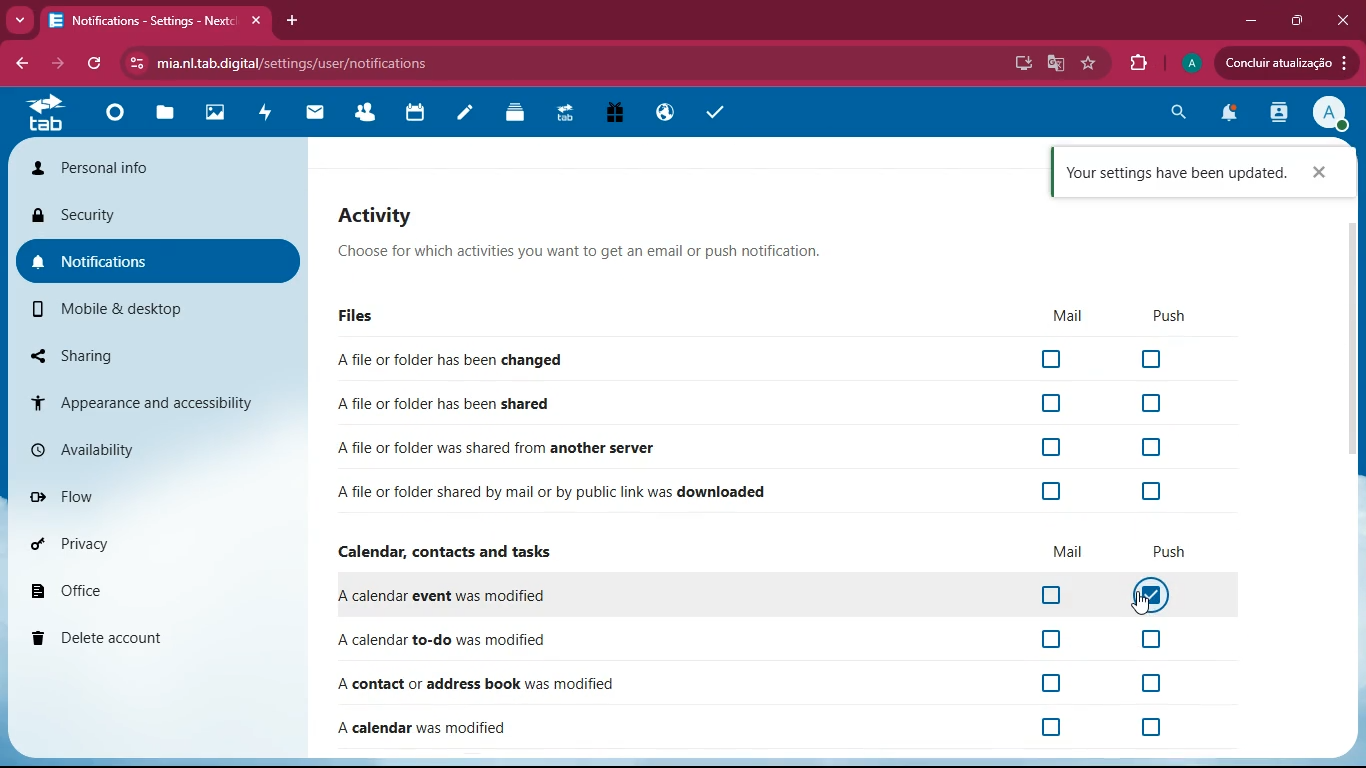  Describe the element at coordinates (57, 66) in the screenshot. I see `back` at that location.